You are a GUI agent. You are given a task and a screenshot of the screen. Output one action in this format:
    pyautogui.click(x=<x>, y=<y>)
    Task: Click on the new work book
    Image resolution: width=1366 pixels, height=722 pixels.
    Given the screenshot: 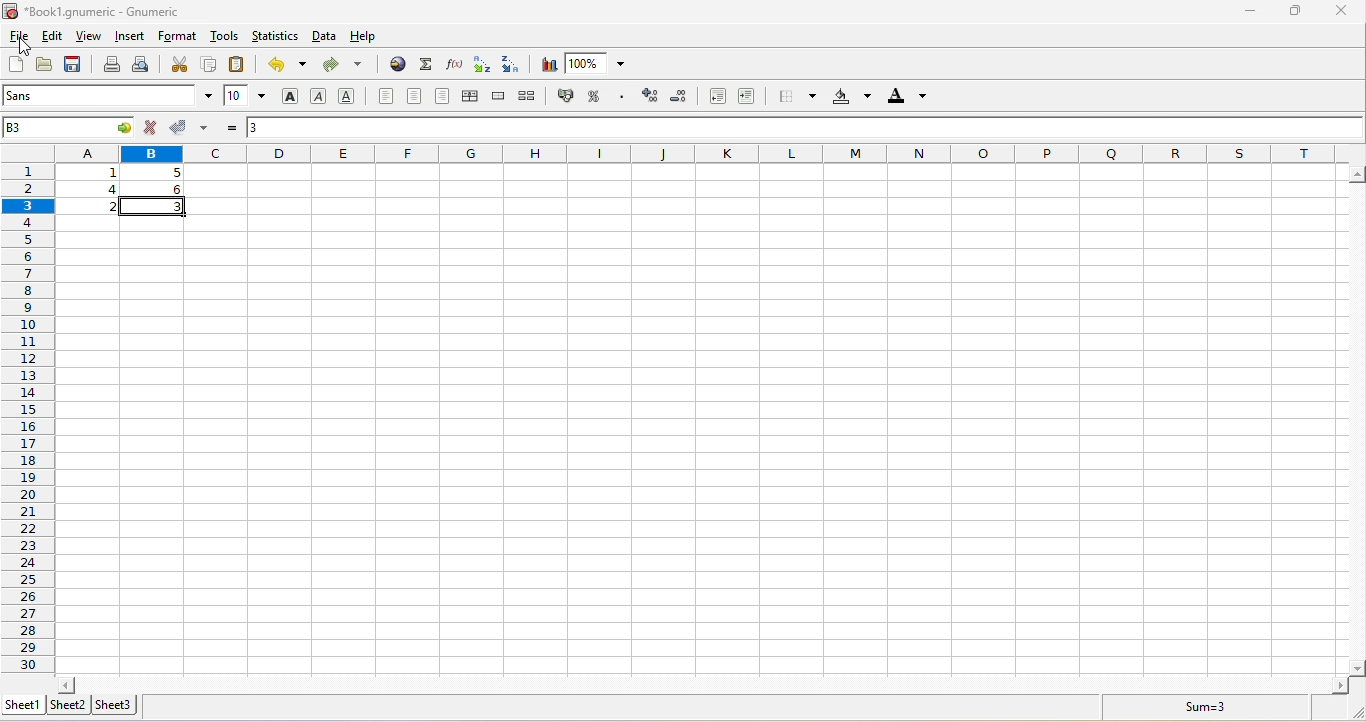 What is the action you would take?
    pyautogui.click(x=16, y=66)
    